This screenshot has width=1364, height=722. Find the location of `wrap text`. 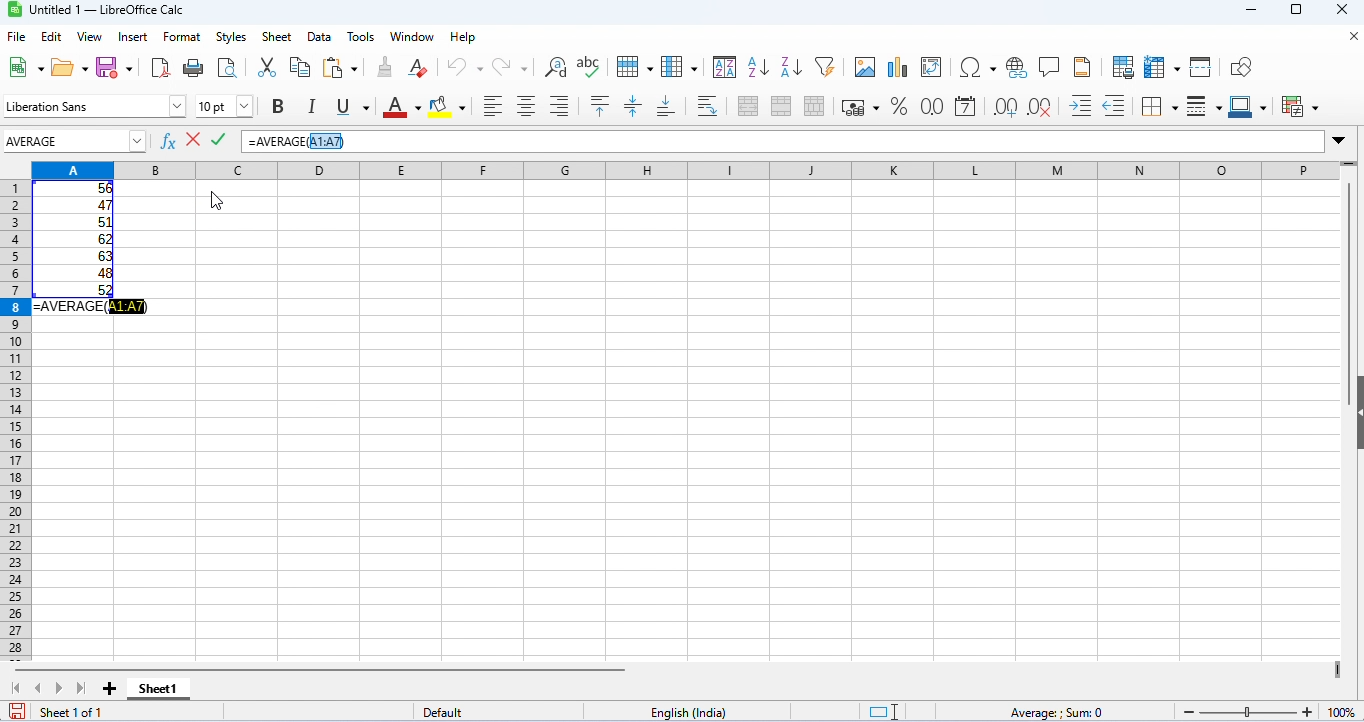

wrap text is located at coordinates (709, 105).